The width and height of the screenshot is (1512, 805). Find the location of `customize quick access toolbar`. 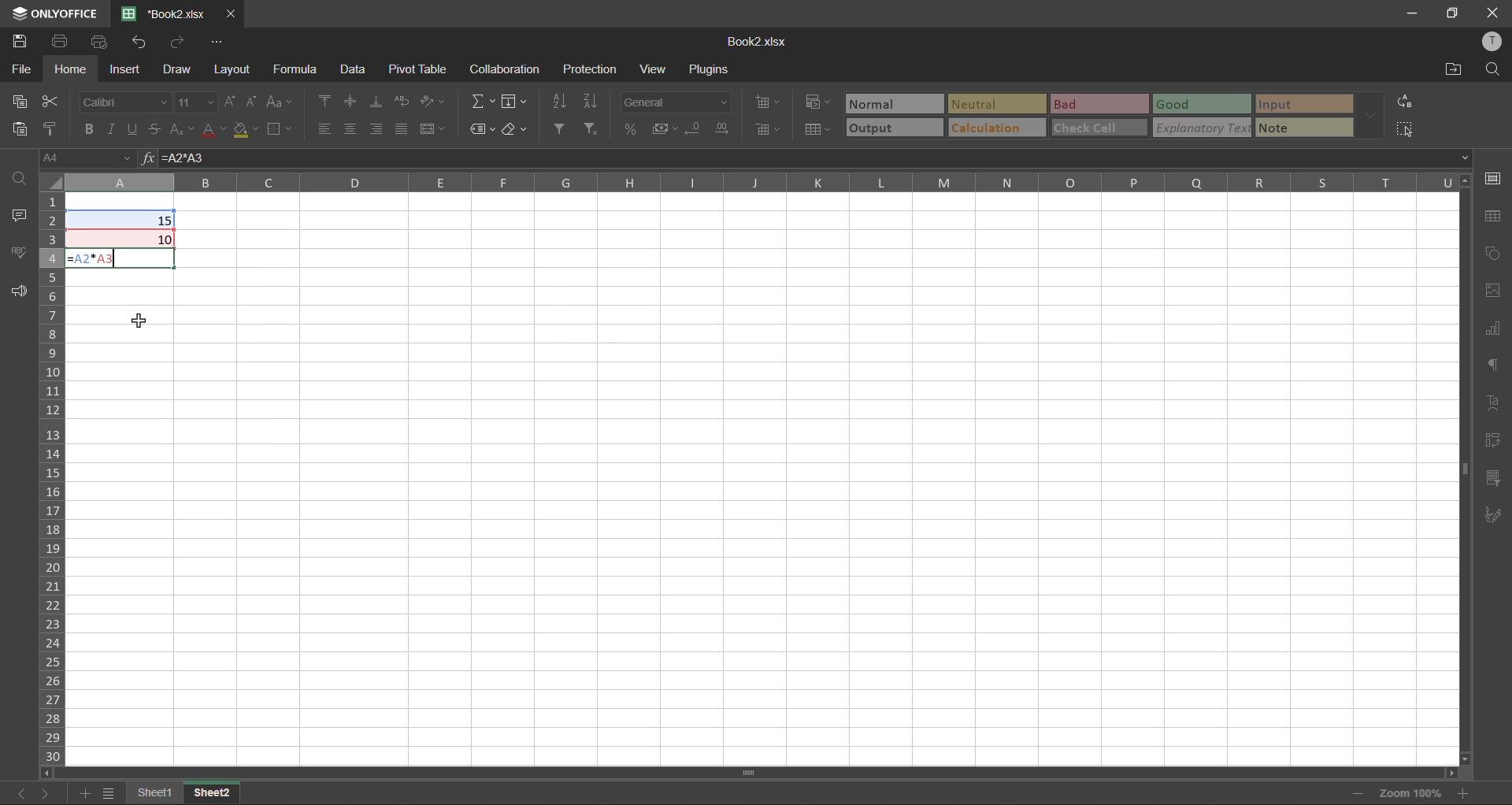

customize quick access toolbar is located at coordinates (219, 43).